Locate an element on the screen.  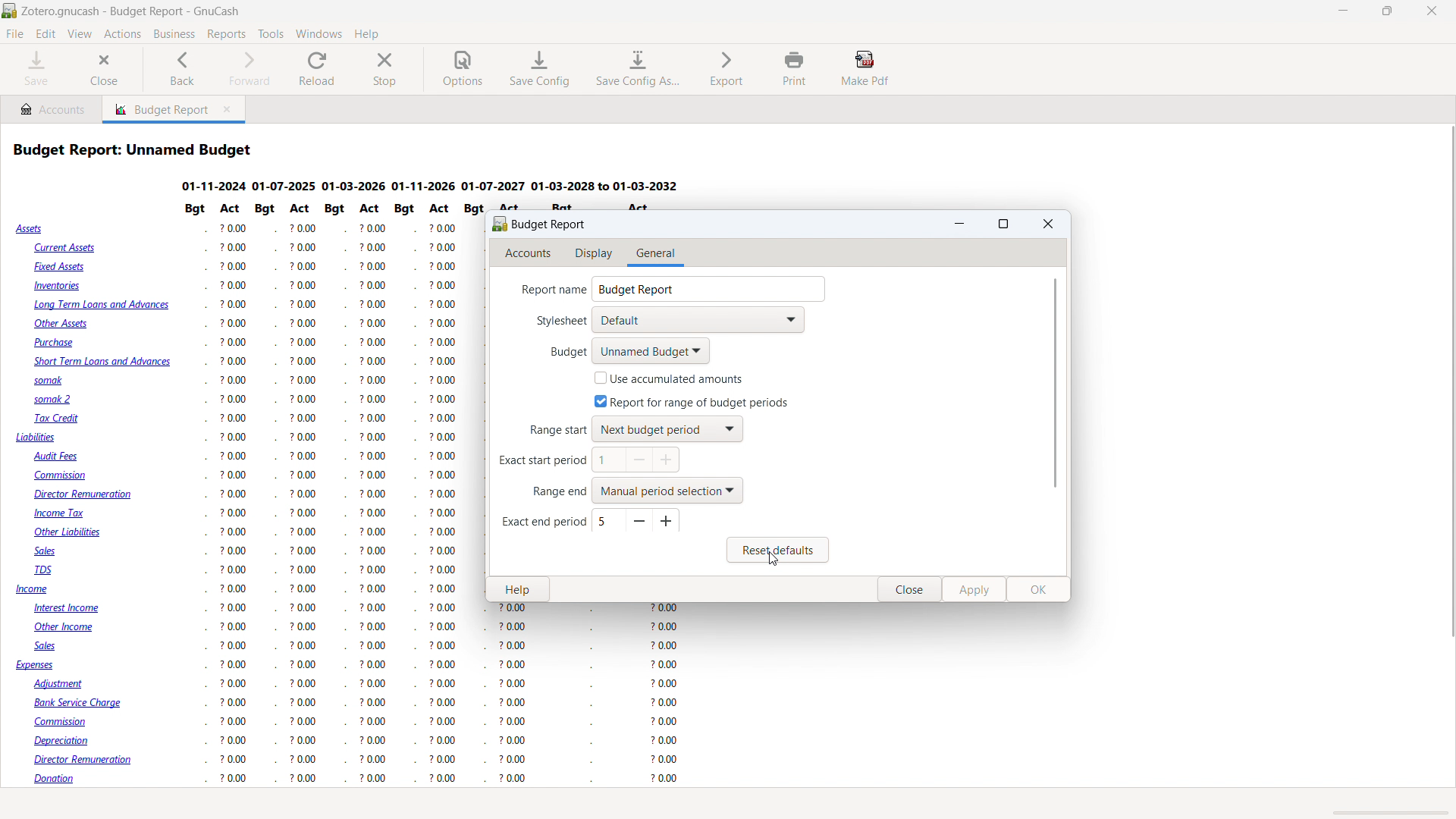
Sales is located at coordinates (53, 552).